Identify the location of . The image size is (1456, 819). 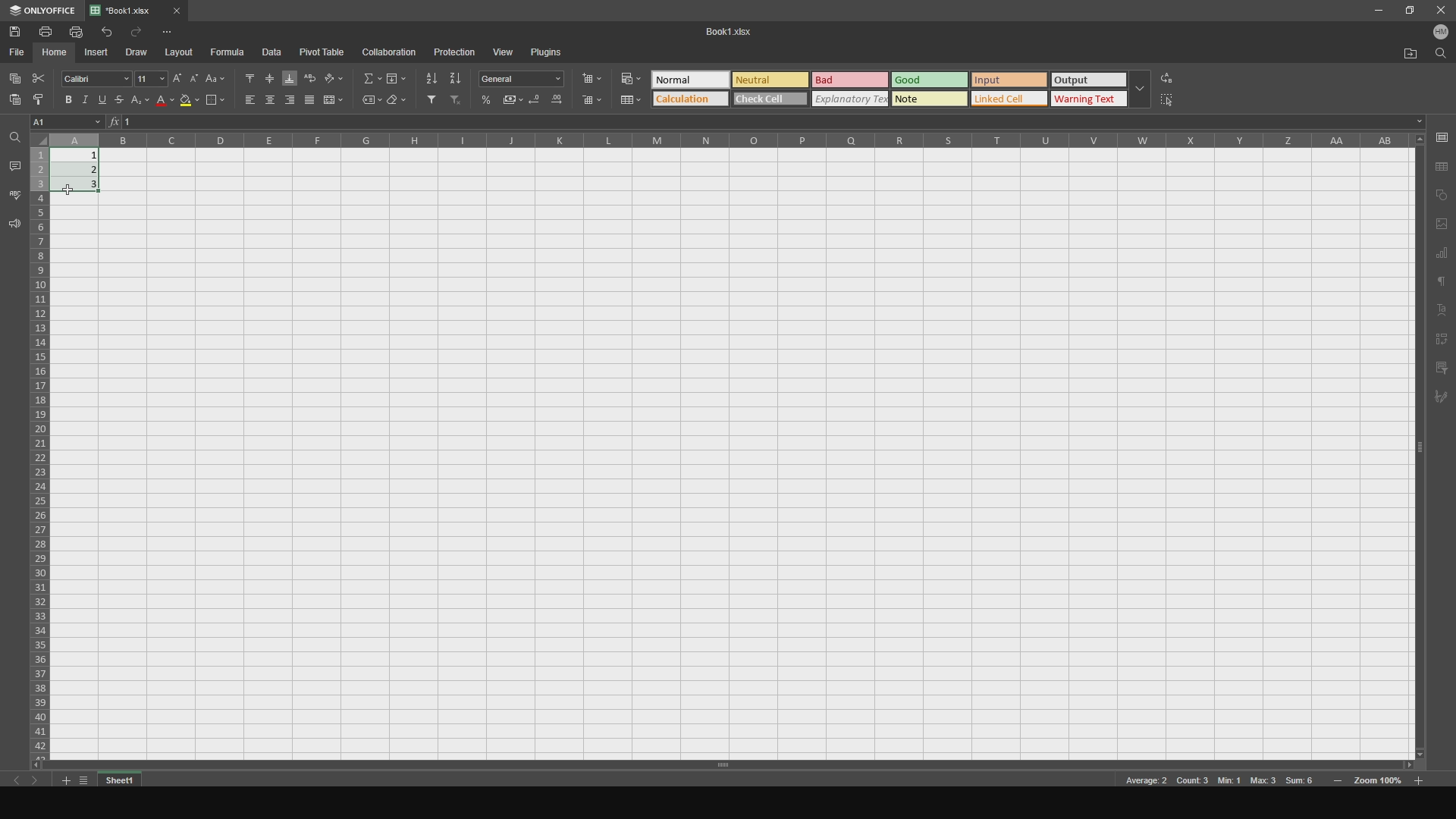
(514, 99).